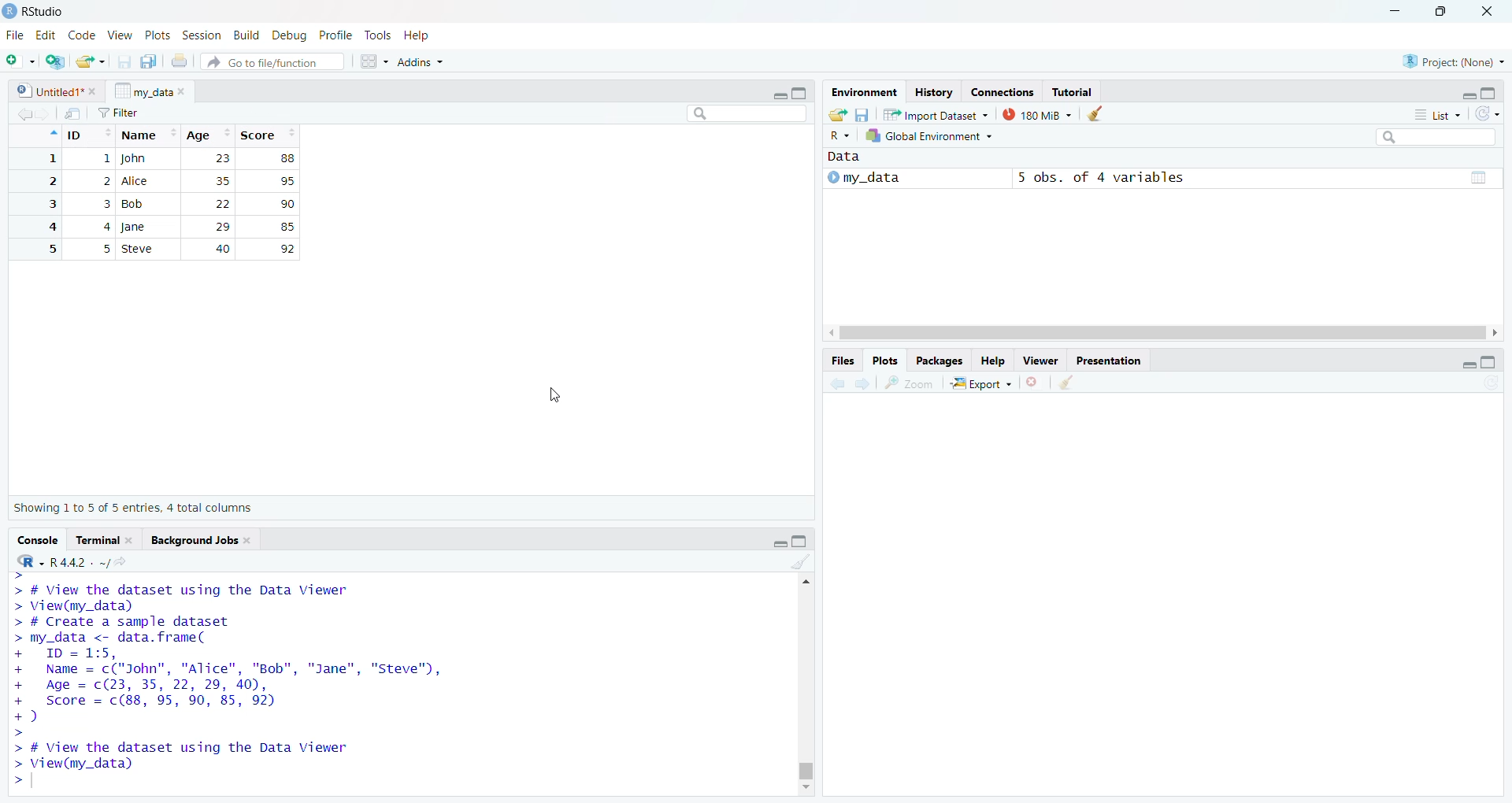  What do you see at coordinates (1093, 116) in the screenshot?
I see `Clear objects from the workspace` at bounding box center [1093, 116].